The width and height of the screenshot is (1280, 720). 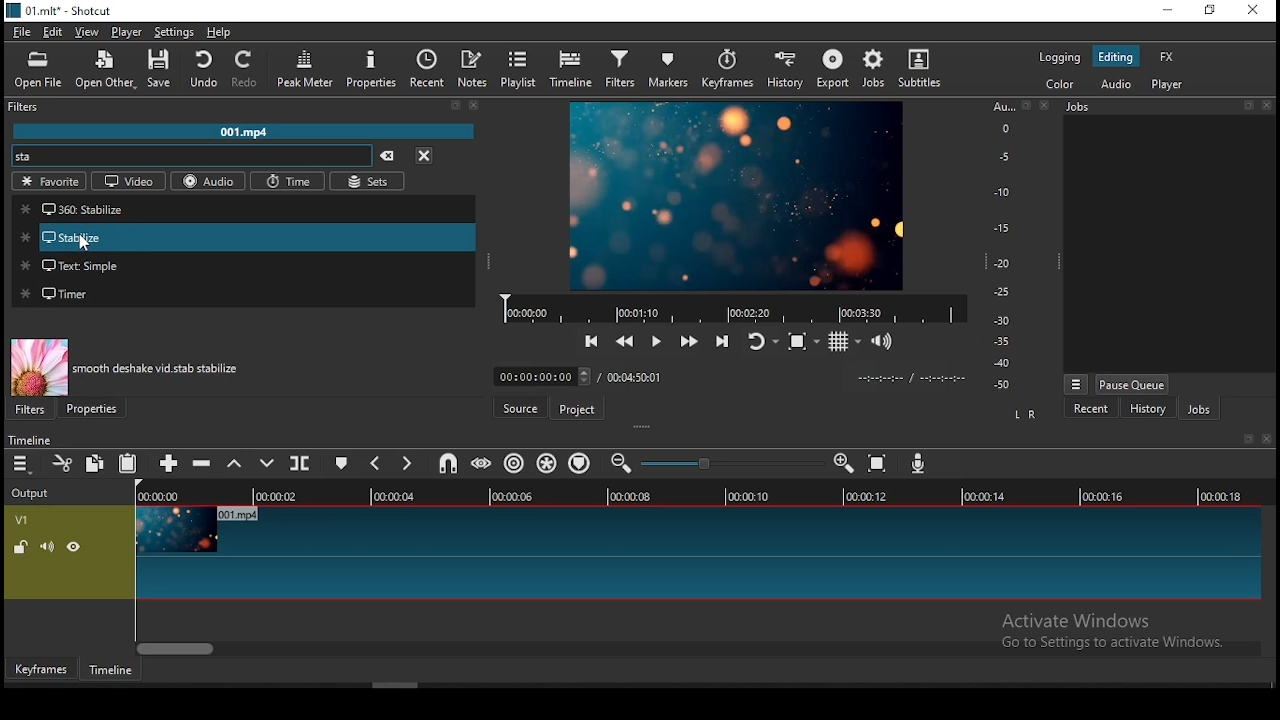 What do you see at coordinates (430, 70) in the screenshot?
I see `recent` at bounding box center [430, 70].